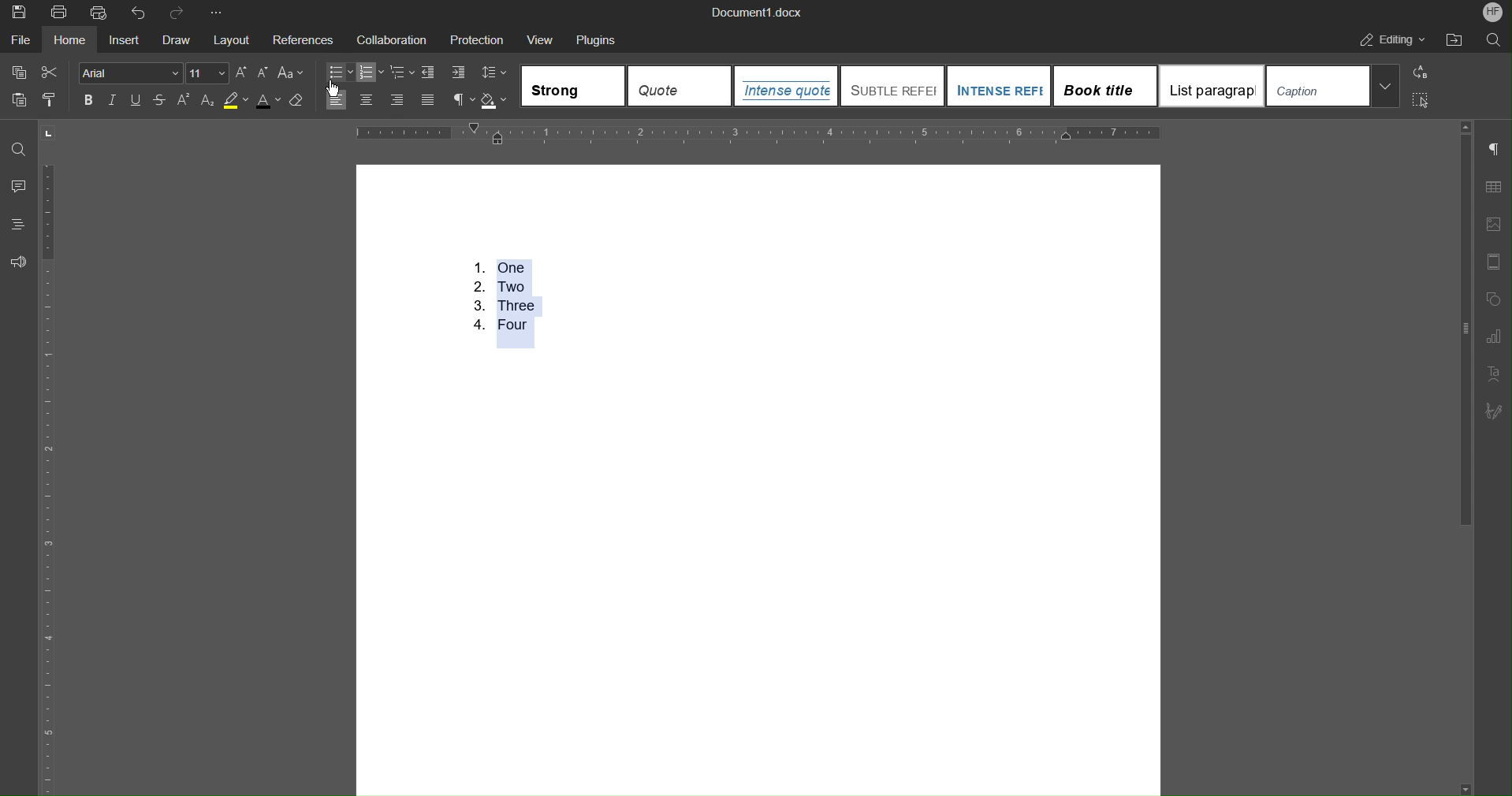 Image resolution: width=1512 pixels, height=796 pixels. Describe the element at coordinates (111, 101) in the screenshot. I see `Italics` at that location.